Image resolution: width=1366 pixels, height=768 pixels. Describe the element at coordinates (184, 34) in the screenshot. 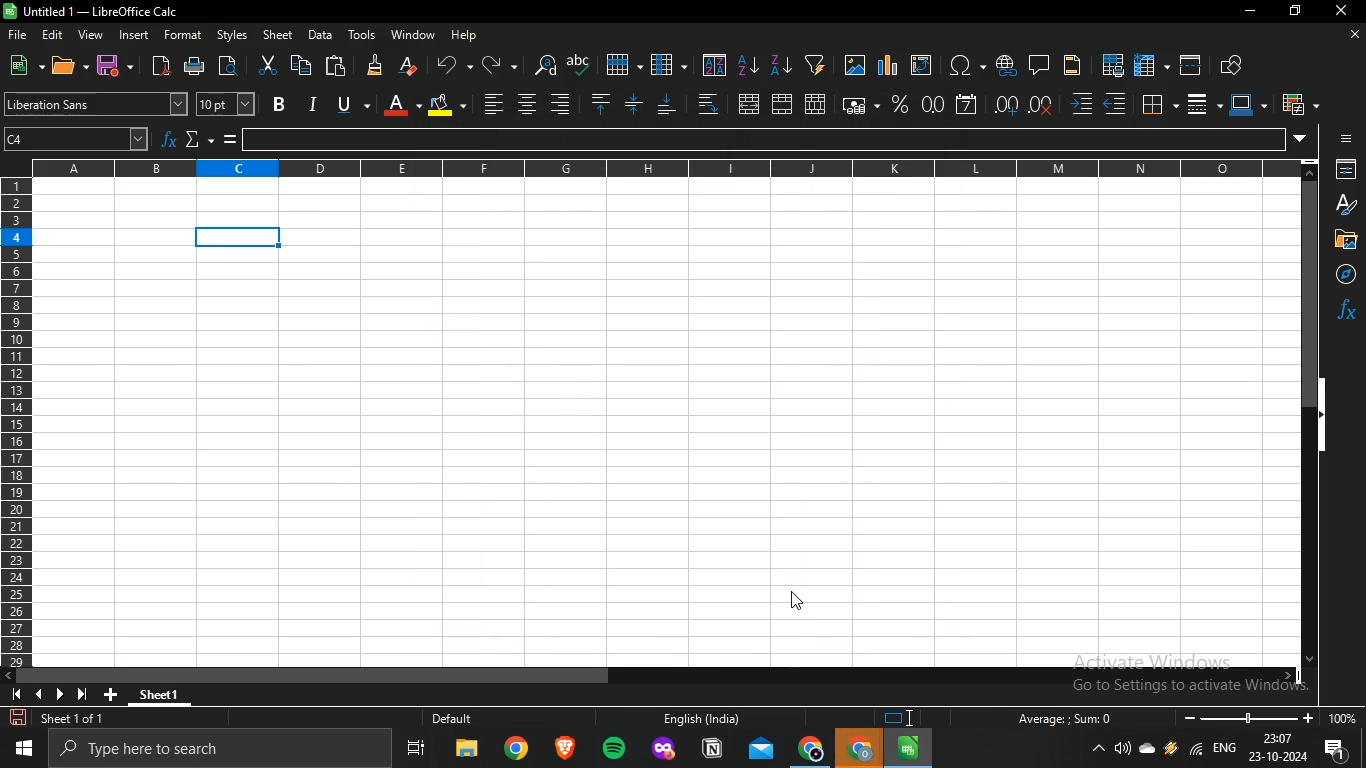

I see `format` at that location.